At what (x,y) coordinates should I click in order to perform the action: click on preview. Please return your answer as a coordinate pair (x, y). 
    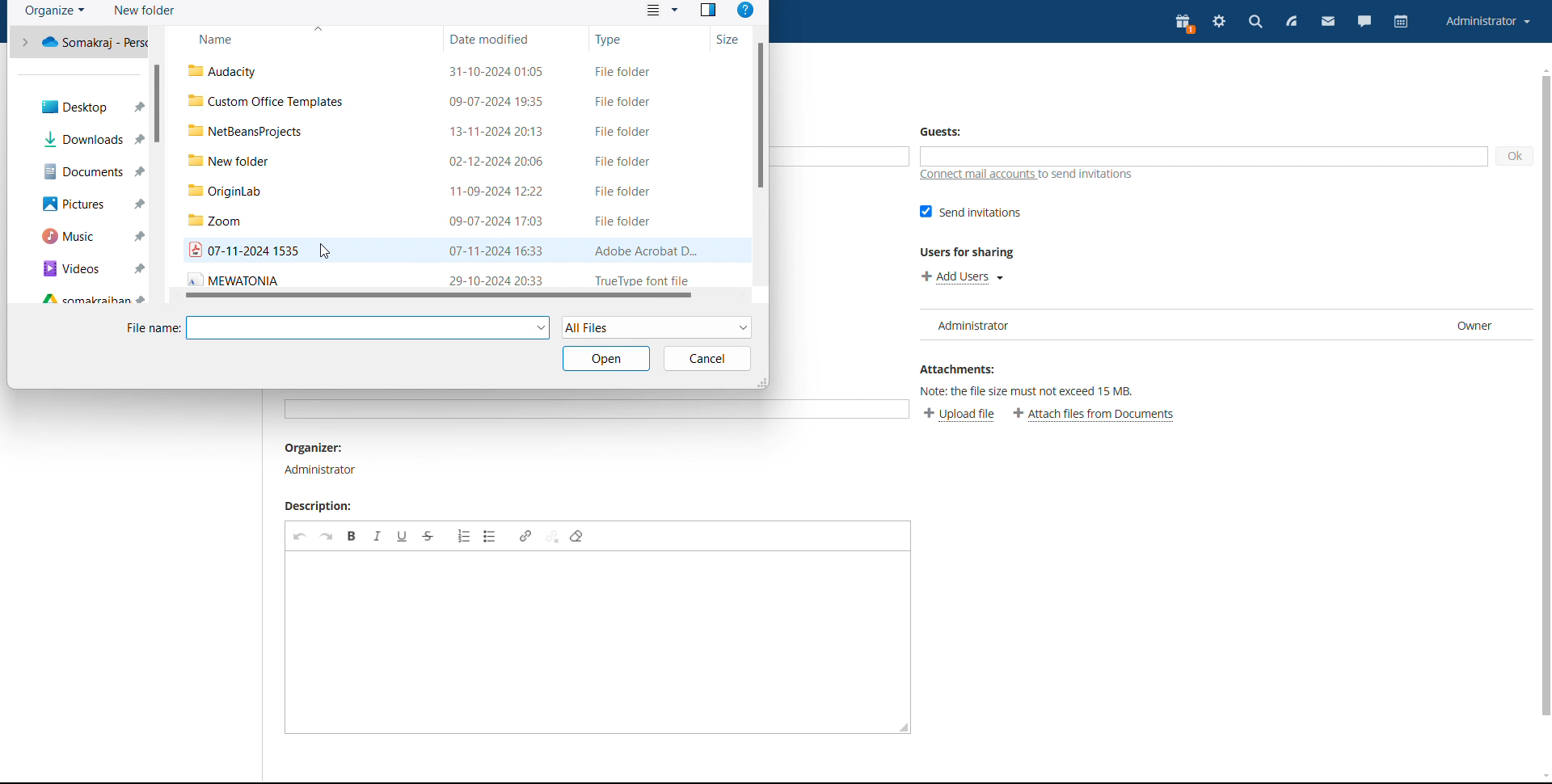
    Looking at the image, I should click on (709, 11).